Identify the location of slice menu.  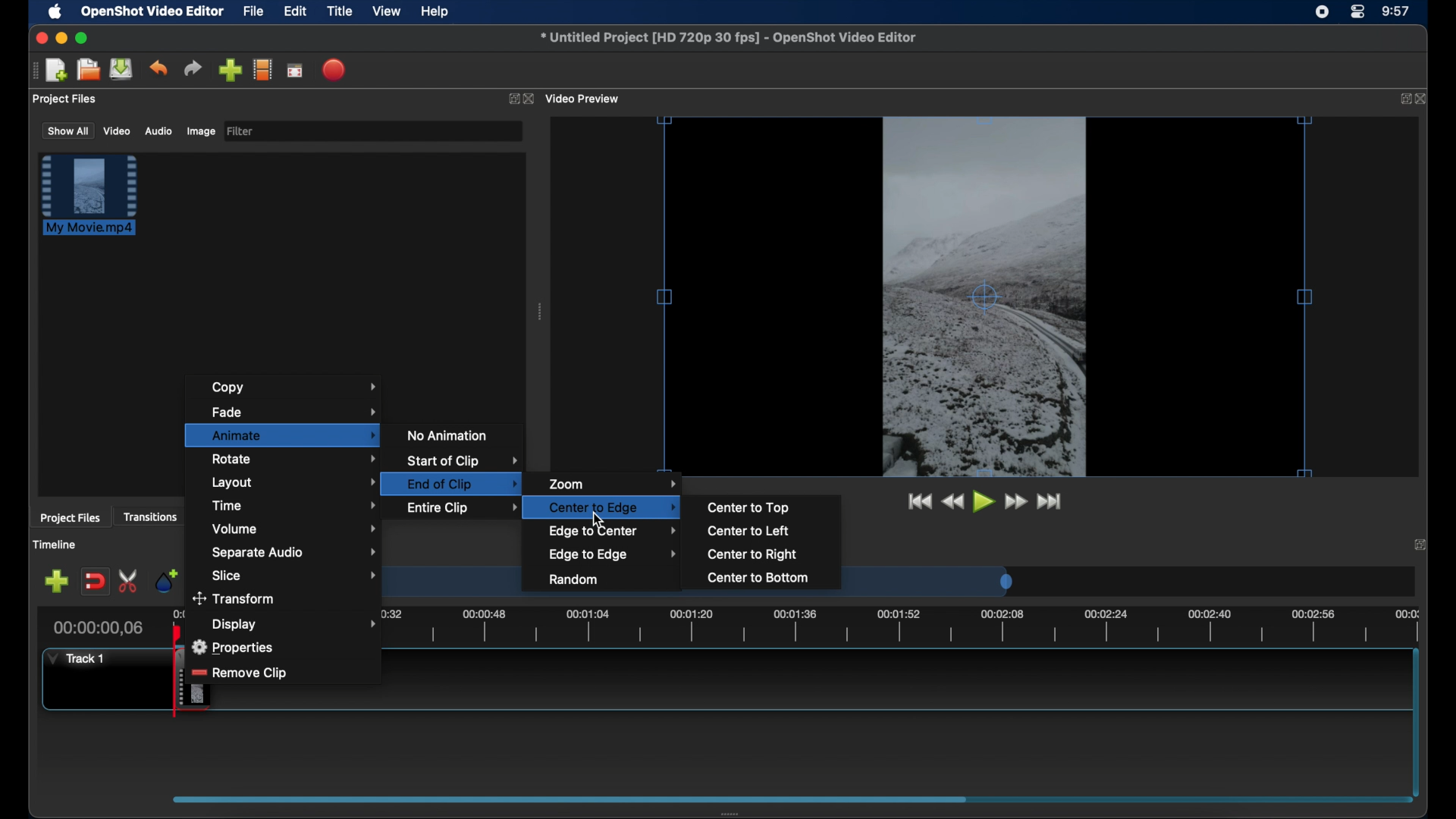
(294, 576).